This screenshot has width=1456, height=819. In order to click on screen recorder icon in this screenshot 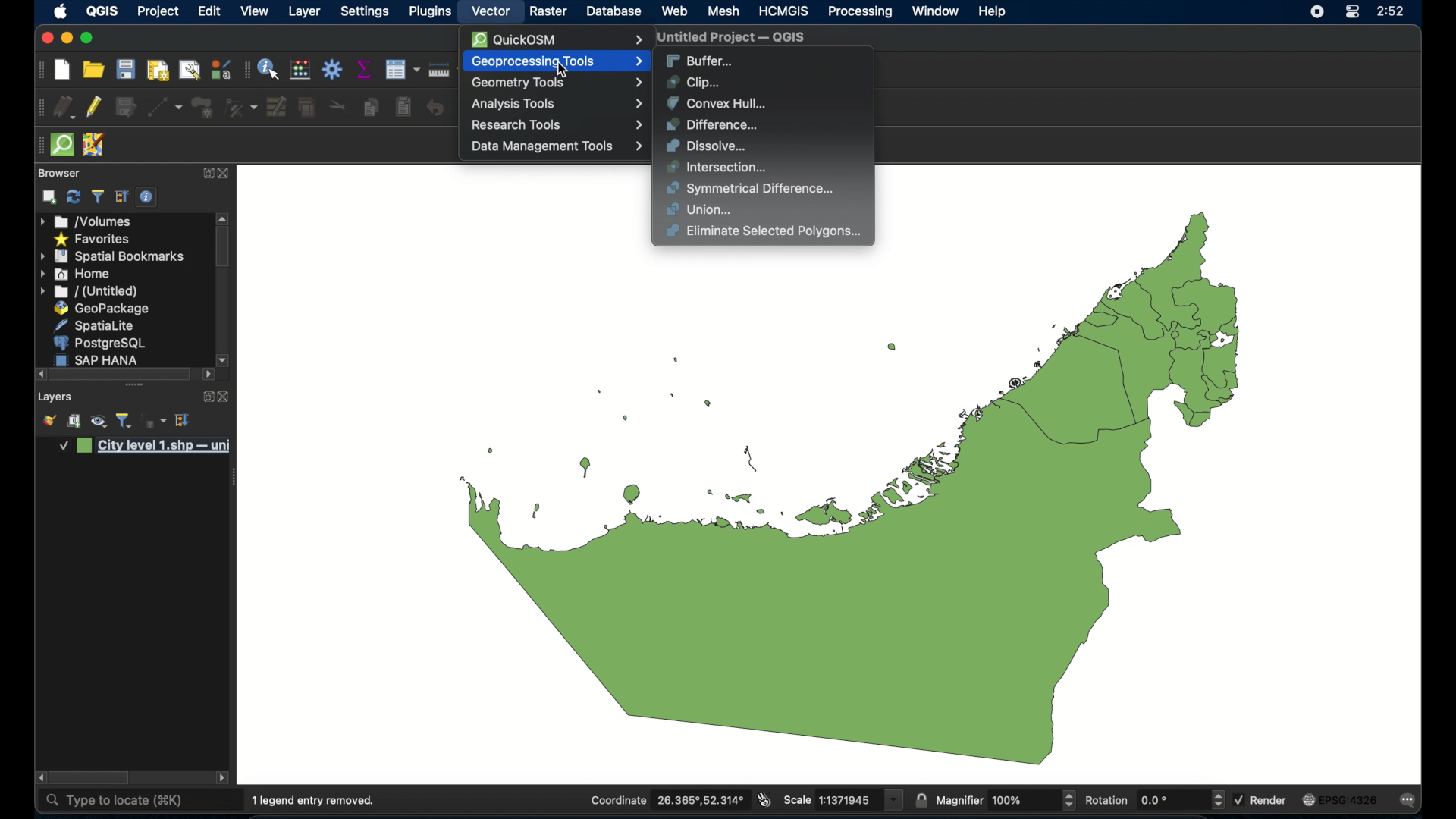, I will do `click(1316, 13)`.